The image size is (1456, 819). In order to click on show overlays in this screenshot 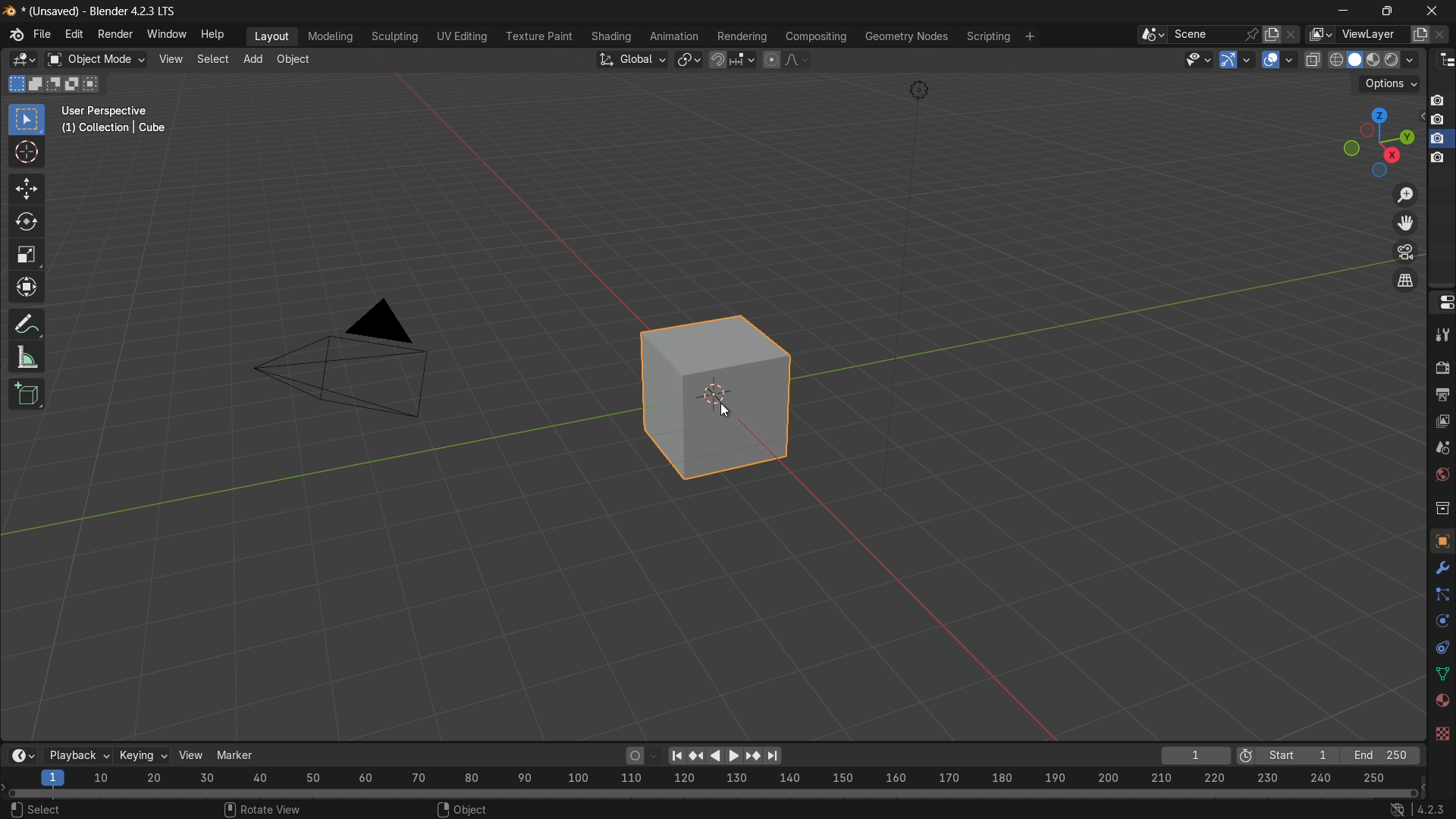, I will do `click(1270, 59)`.